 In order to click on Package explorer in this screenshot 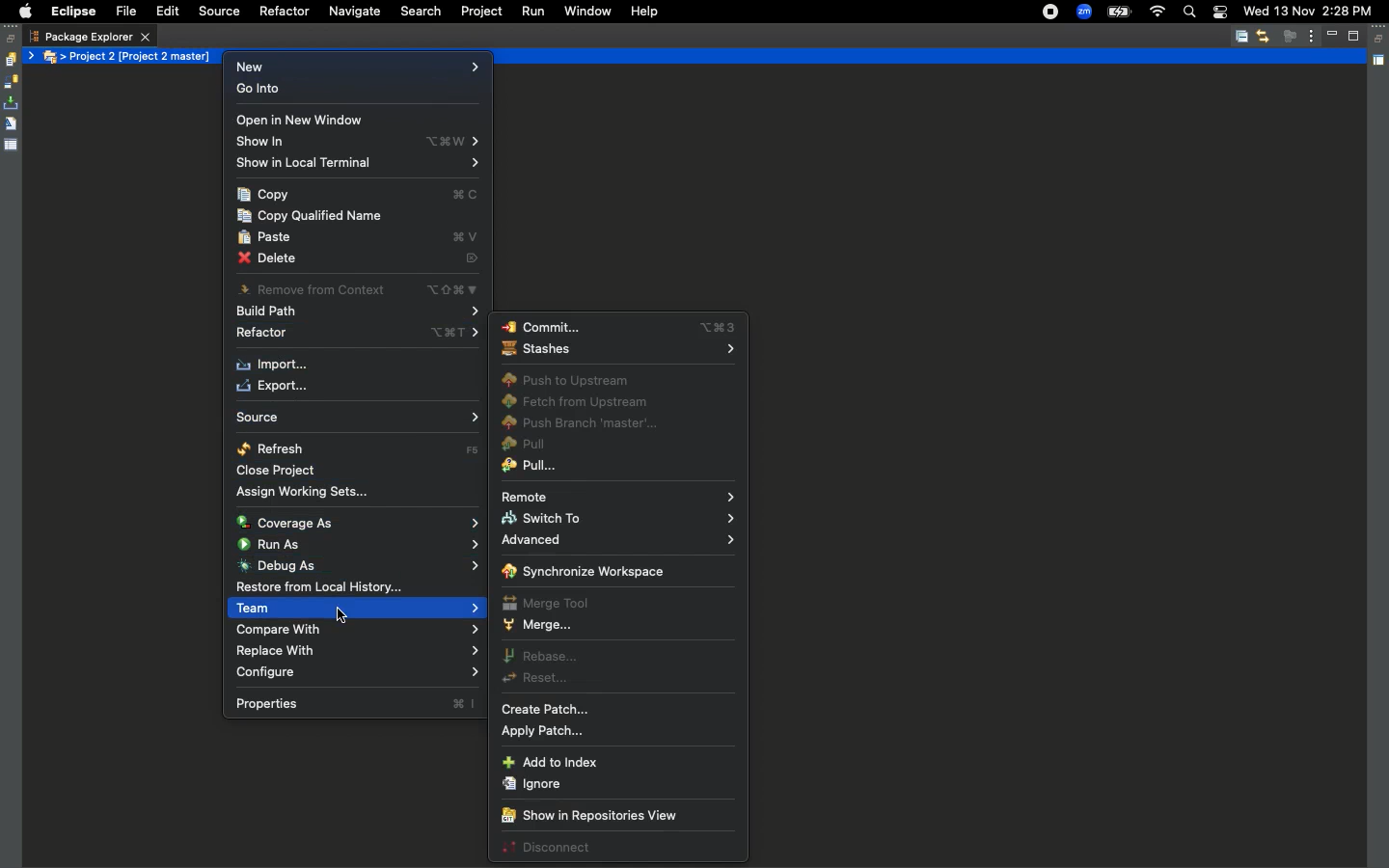, I will do `click(90, 37)`.